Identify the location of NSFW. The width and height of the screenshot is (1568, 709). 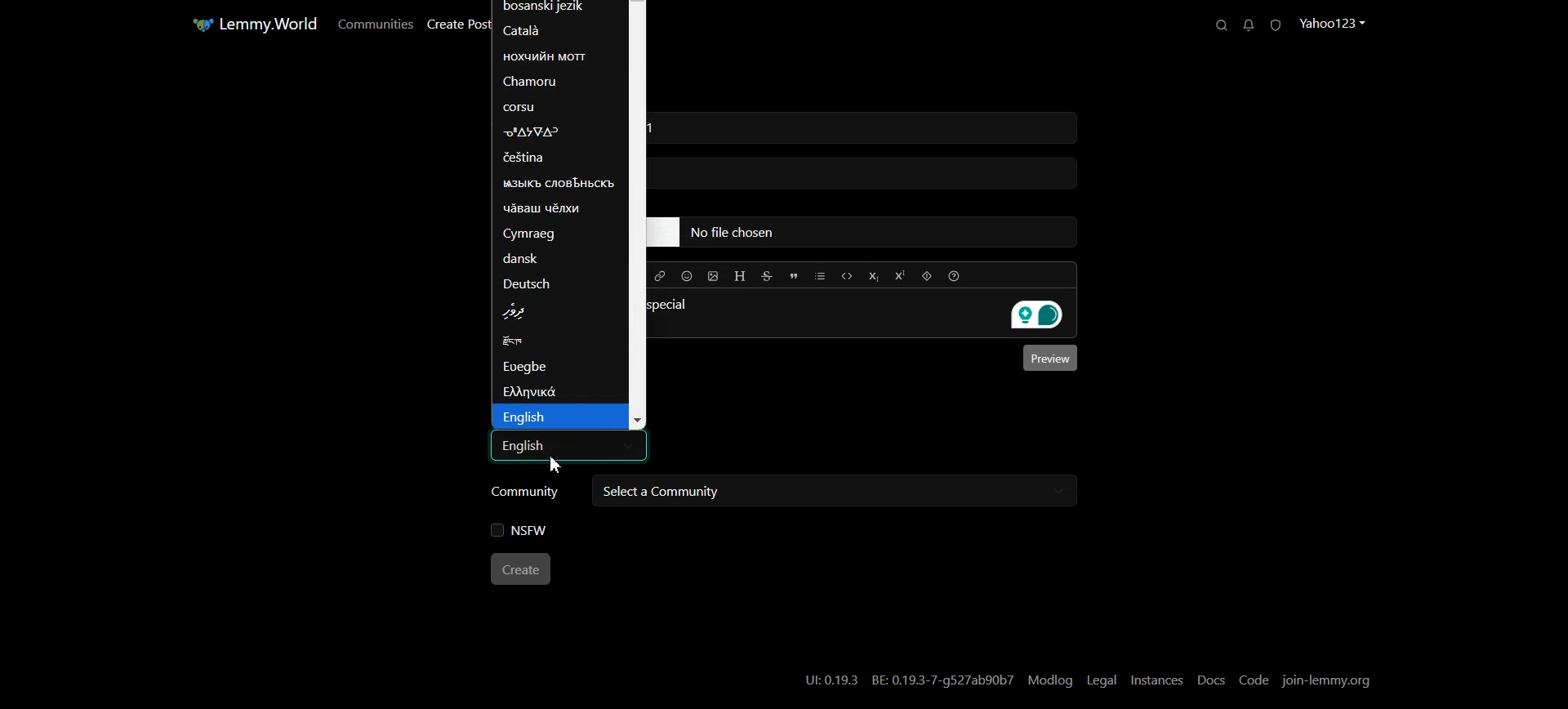
(520, 531).